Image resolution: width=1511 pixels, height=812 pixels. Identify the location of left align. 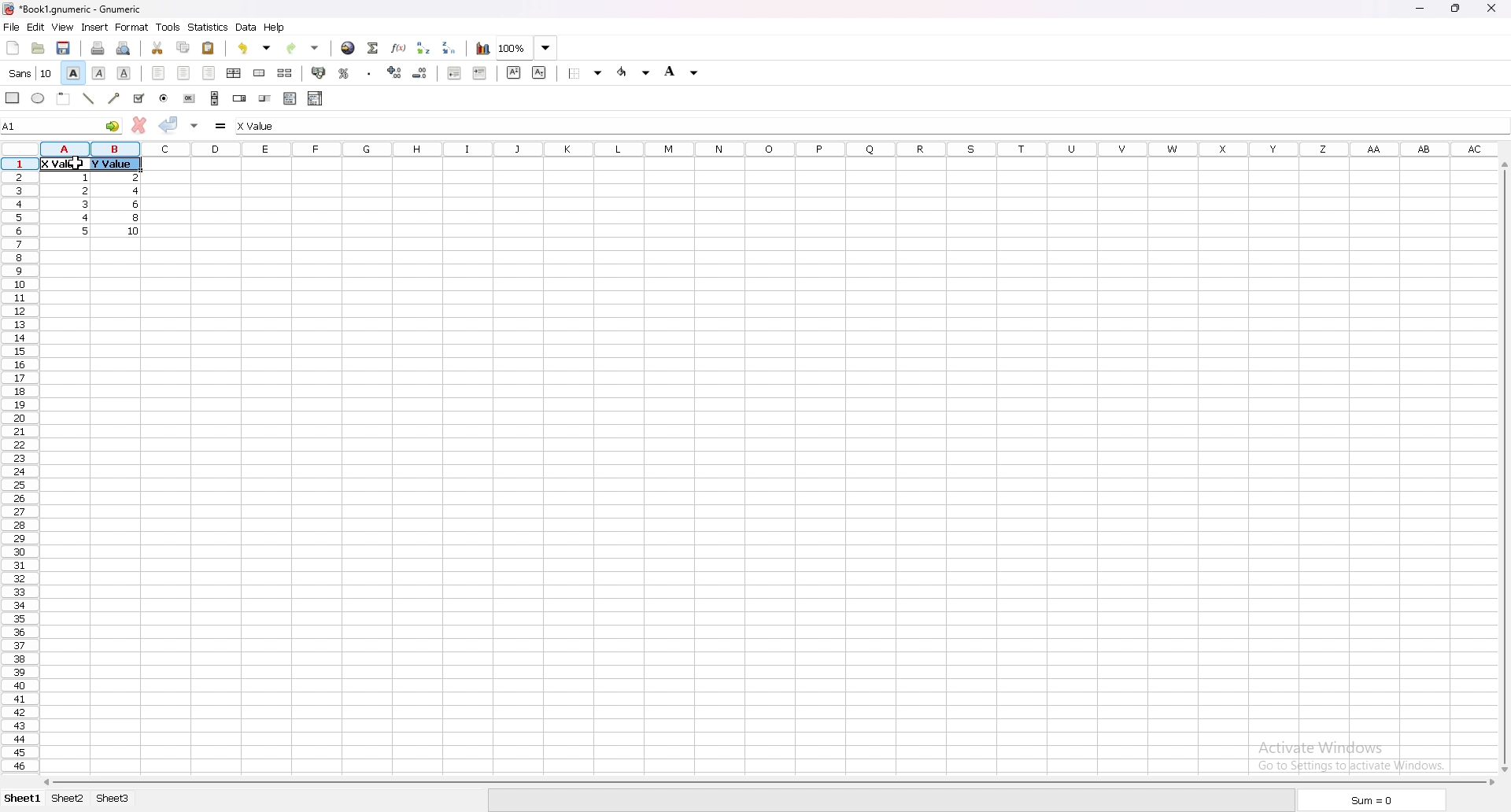
(158, 72).